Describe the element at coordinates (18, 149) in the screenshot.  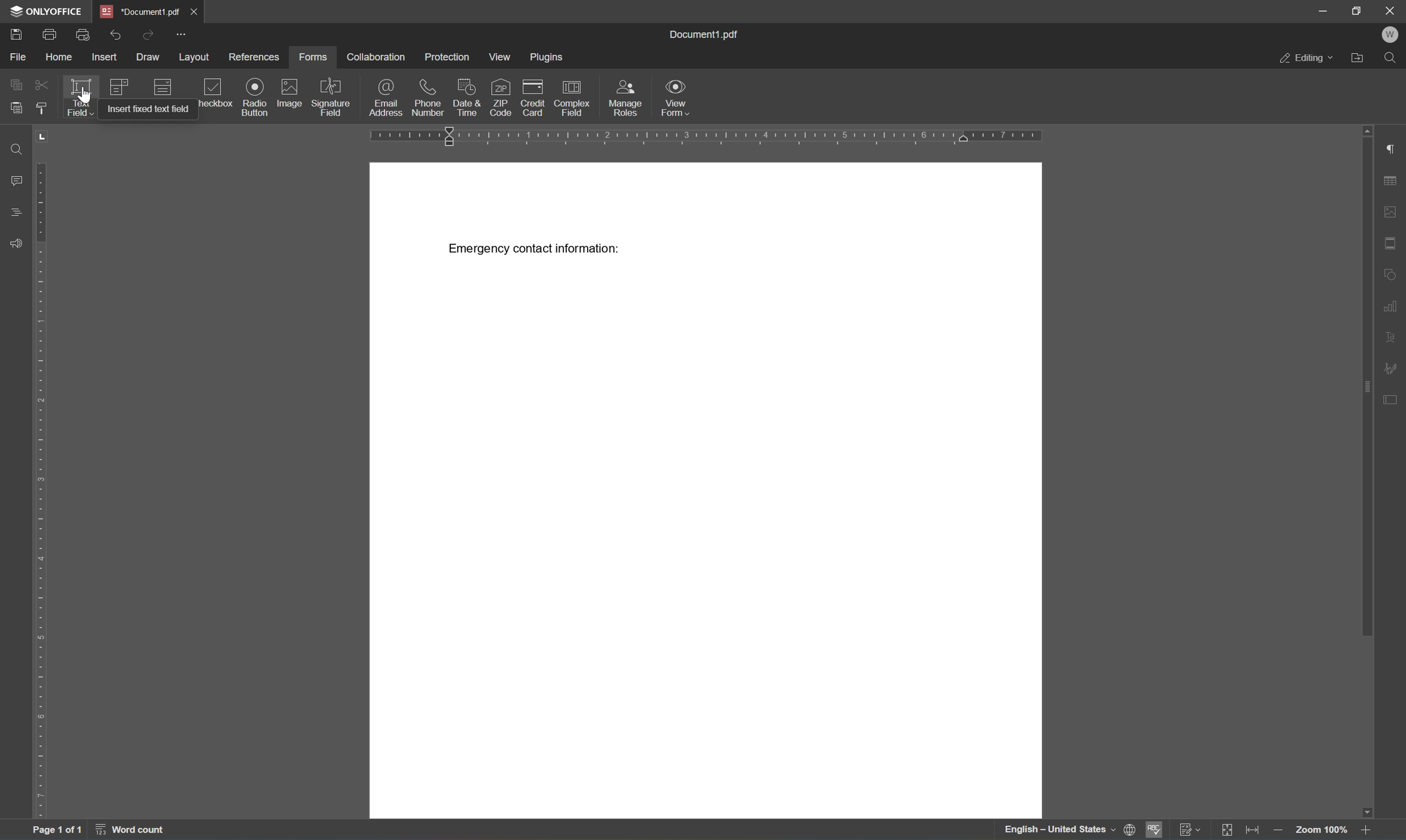
I see `find` at that location.